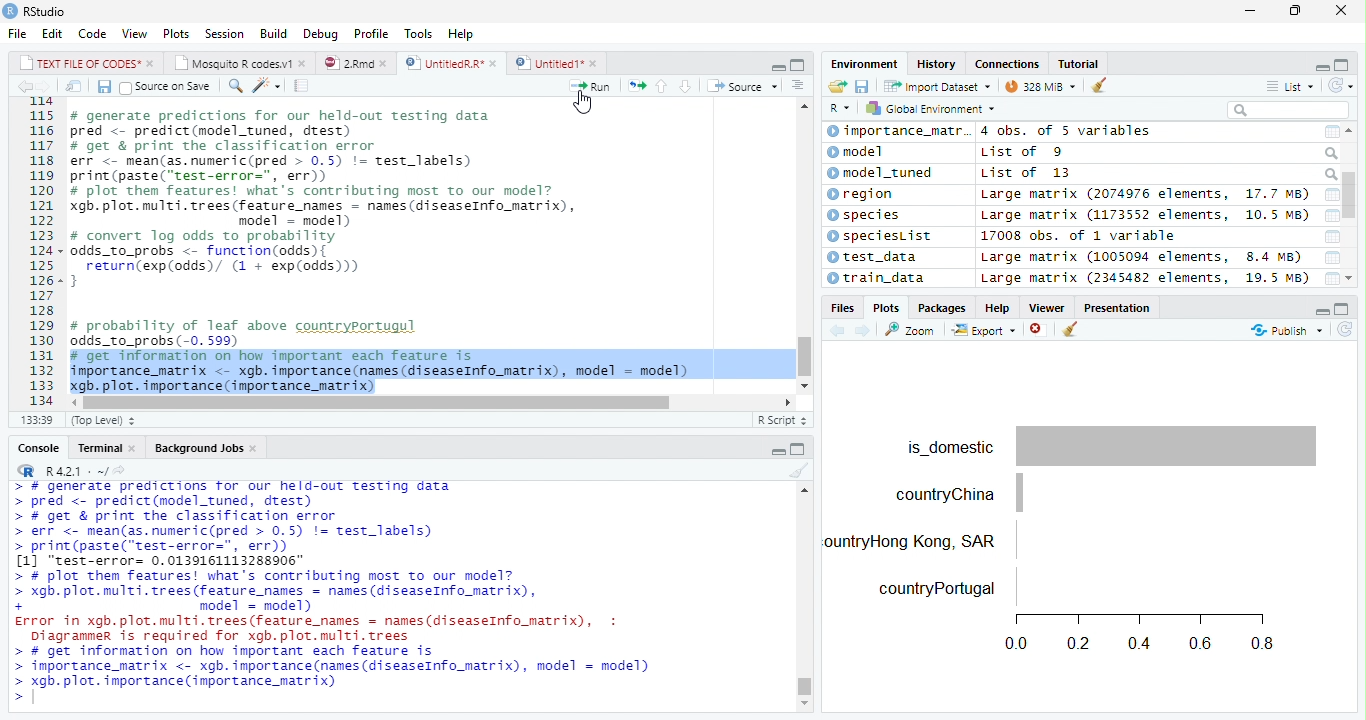 The image size is (1366, 720). I want to click on Profile, so click(372, 33).